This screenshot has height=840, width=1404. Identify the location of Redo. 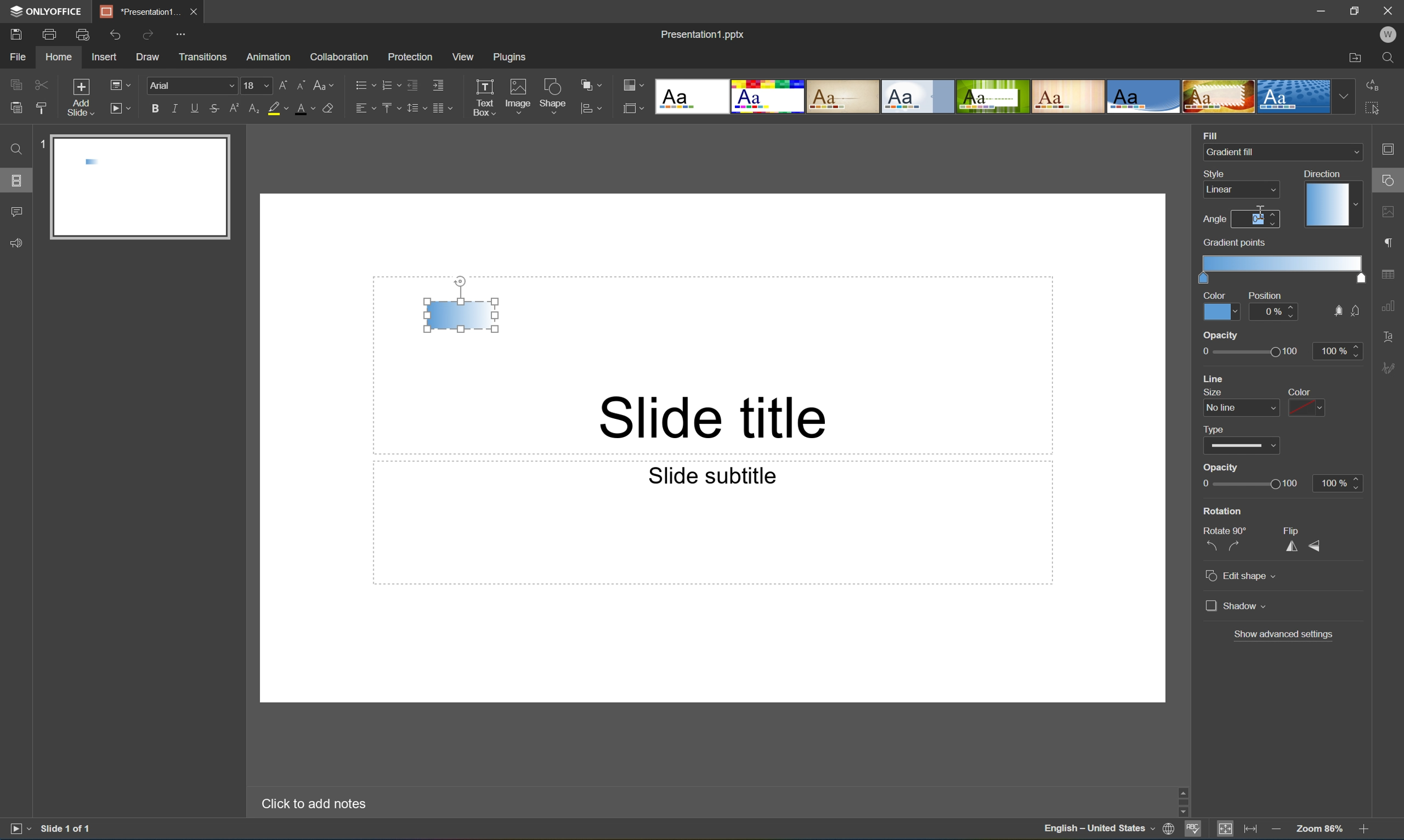
(149, 36).